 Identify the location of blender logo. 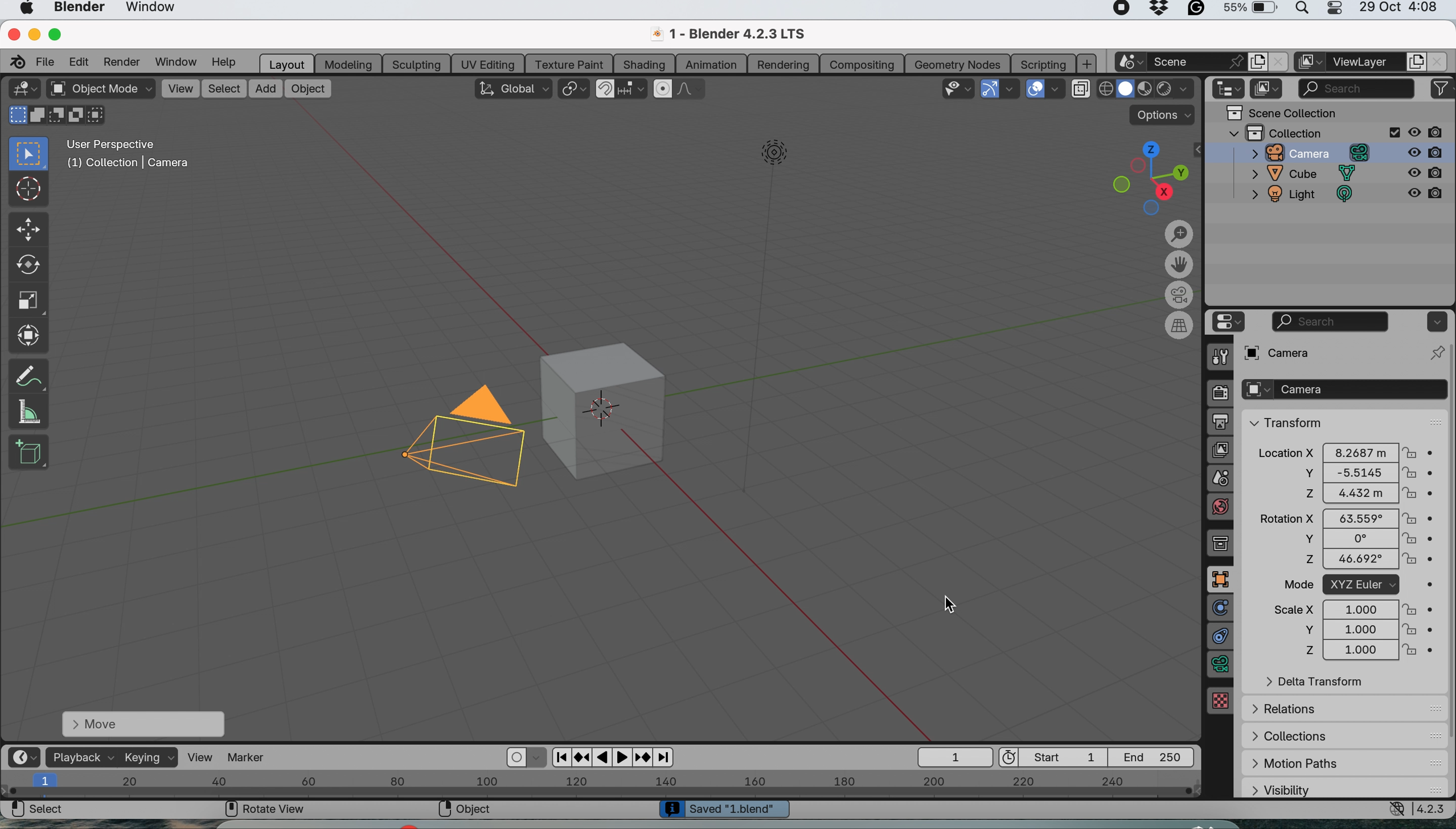
(14, 62).